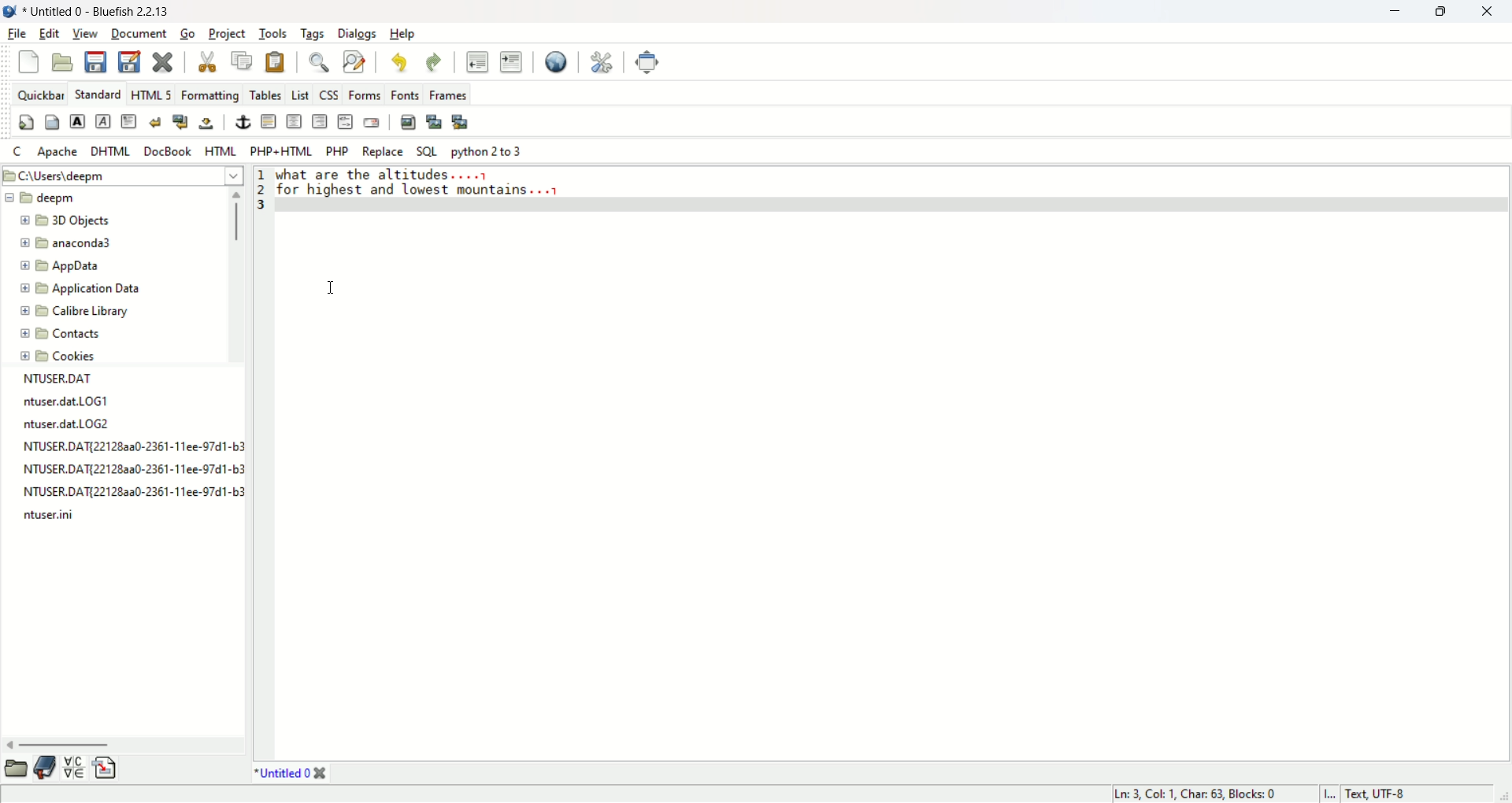  I want to click on standard, so click(96, 93).